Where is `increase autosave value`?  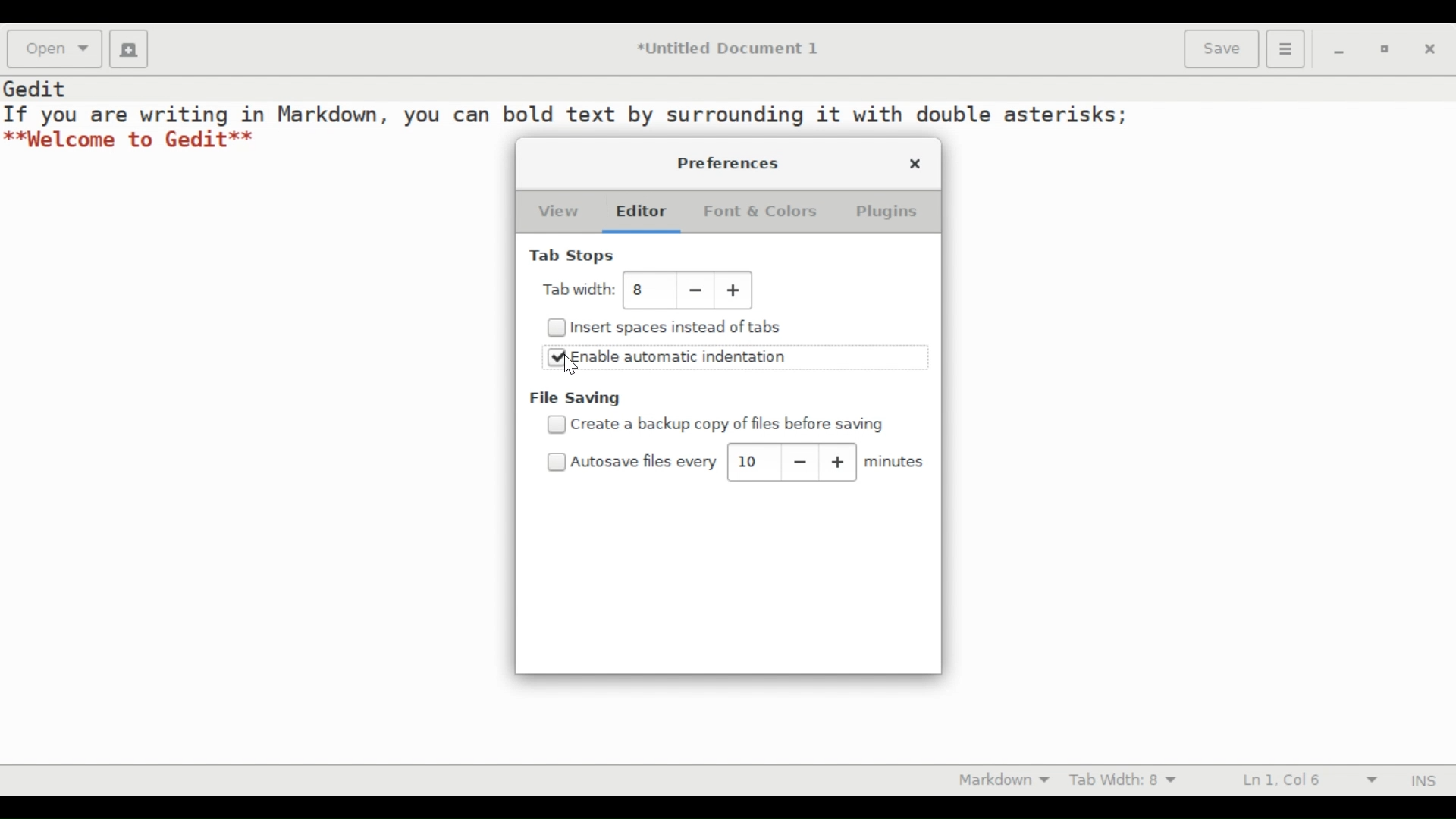 increase autosave value is located at coordinates (837, 462).